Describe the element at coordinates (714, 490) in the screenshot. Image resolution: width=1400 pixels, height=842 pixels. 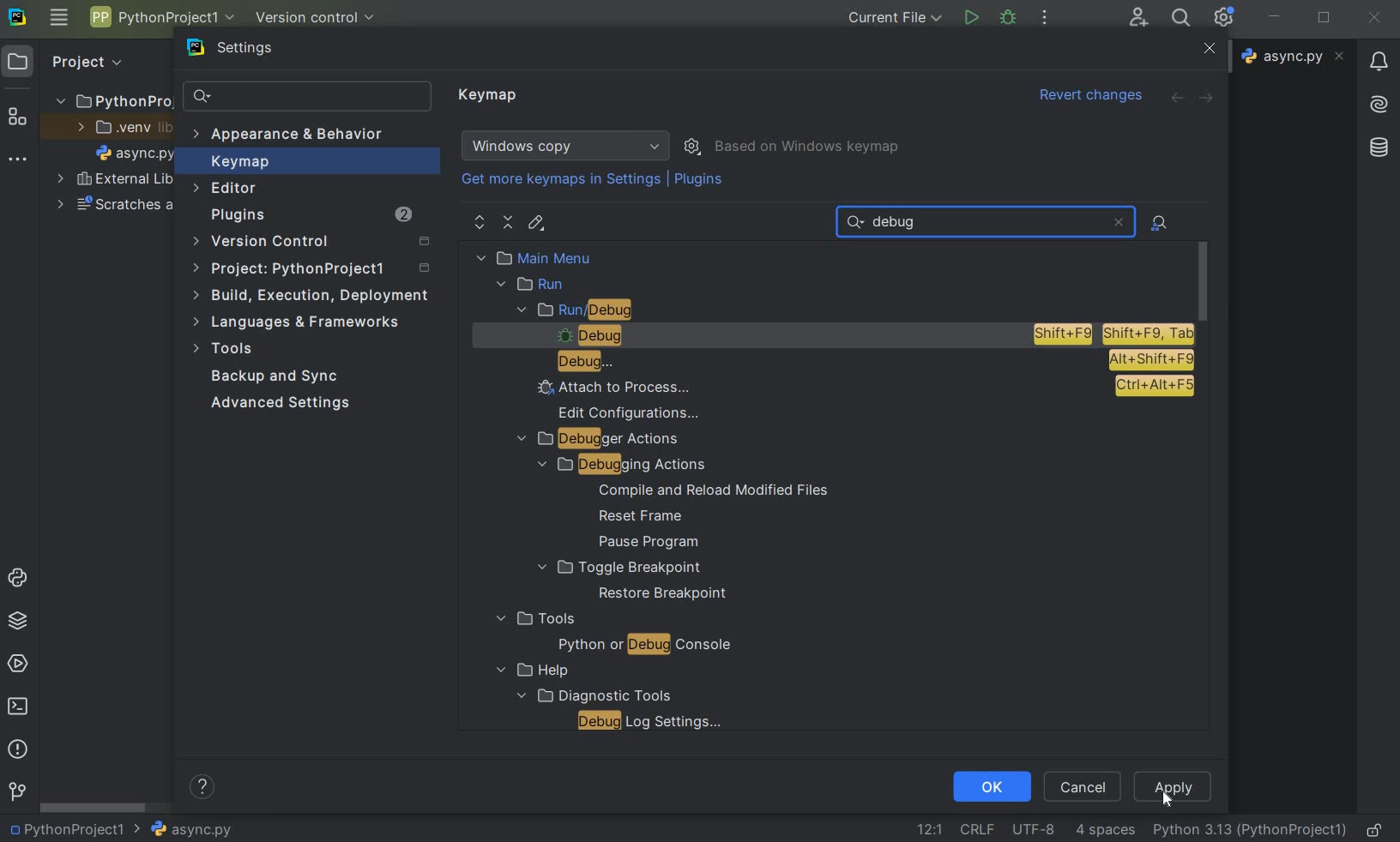
I see `compile and reload modified files` at that location.